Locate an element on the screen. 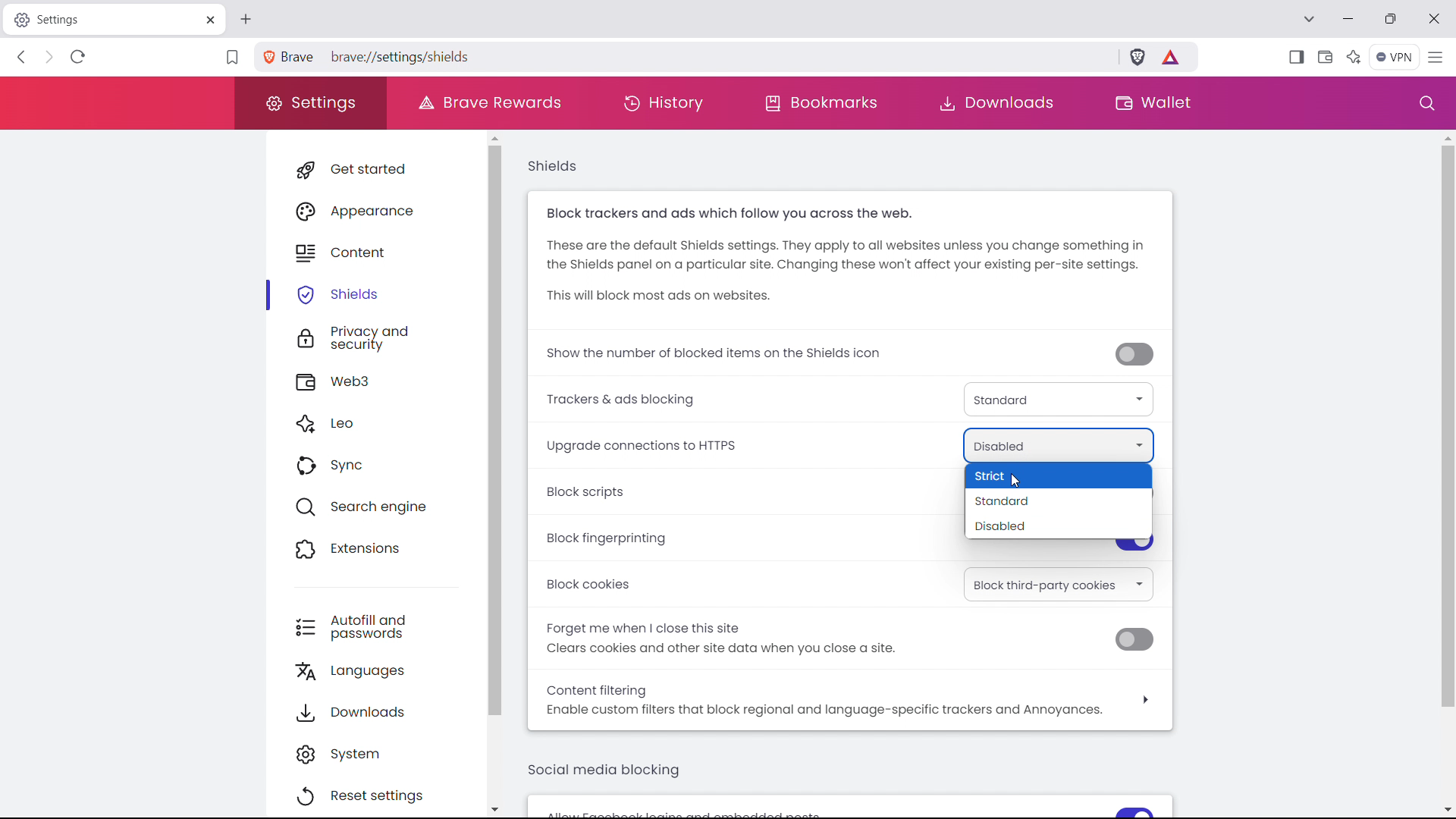 The width and height of the screenshot is (1456, 819). brave rewards is located at coordinates (1172, 56).